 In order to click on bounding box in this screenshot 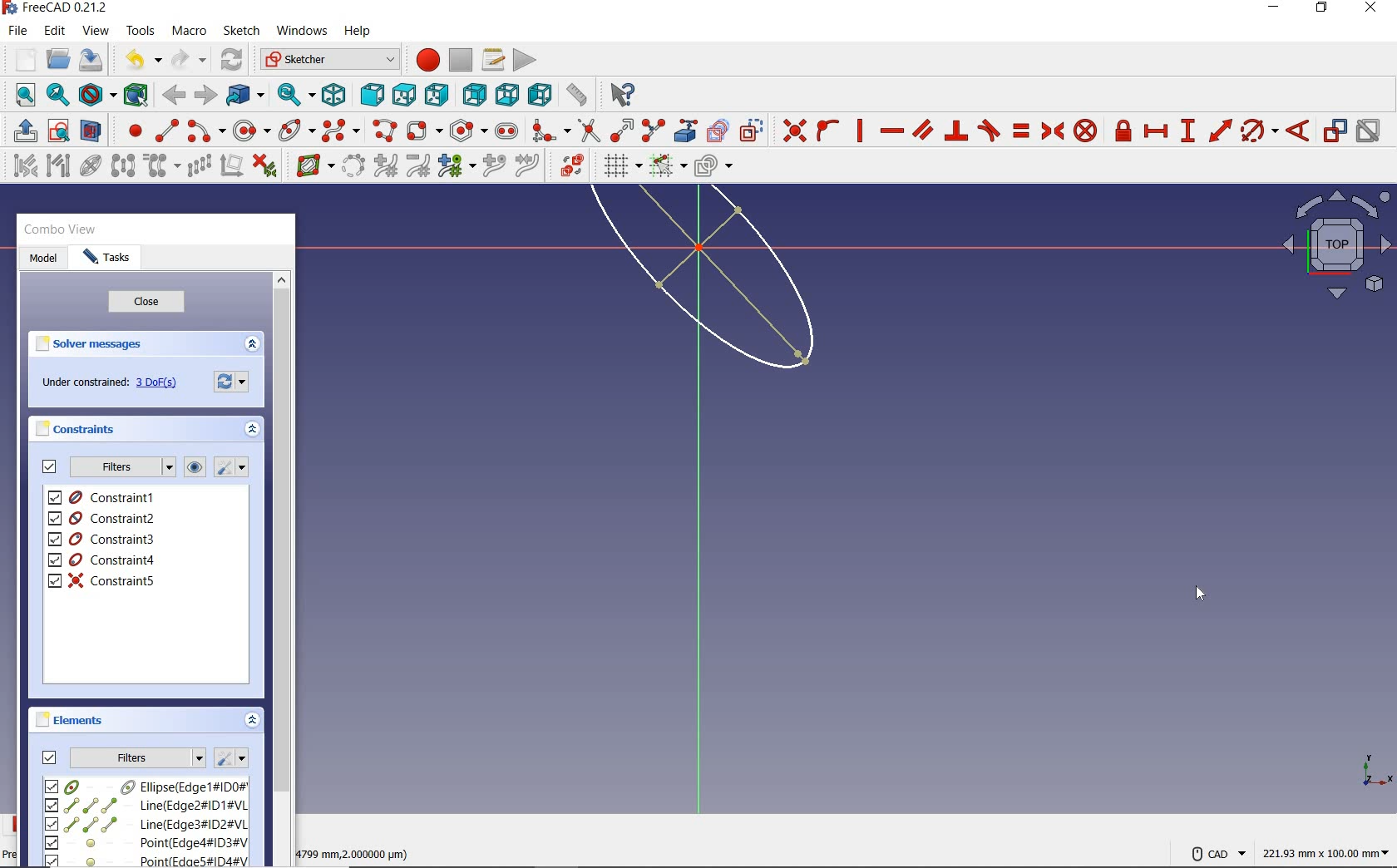, I will do `click(136, 94)`.